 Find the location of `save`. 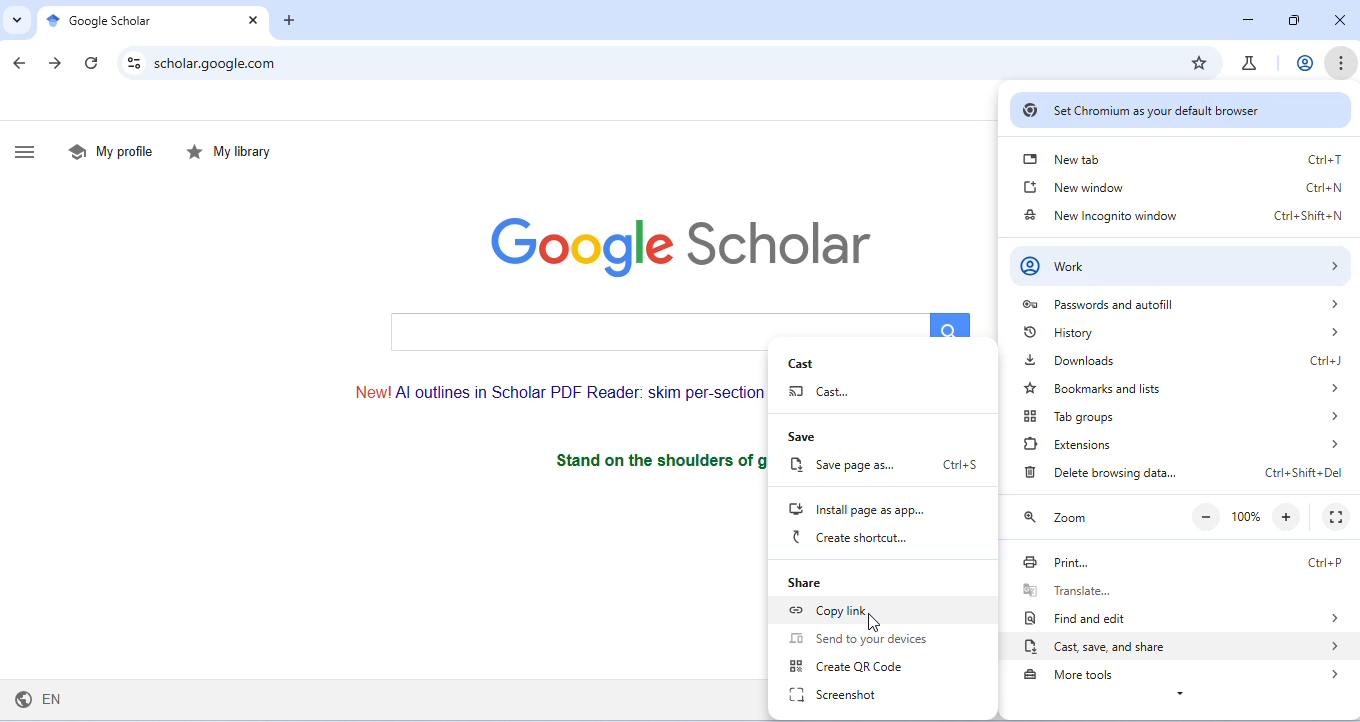

save is located at coordinates (816, 438).